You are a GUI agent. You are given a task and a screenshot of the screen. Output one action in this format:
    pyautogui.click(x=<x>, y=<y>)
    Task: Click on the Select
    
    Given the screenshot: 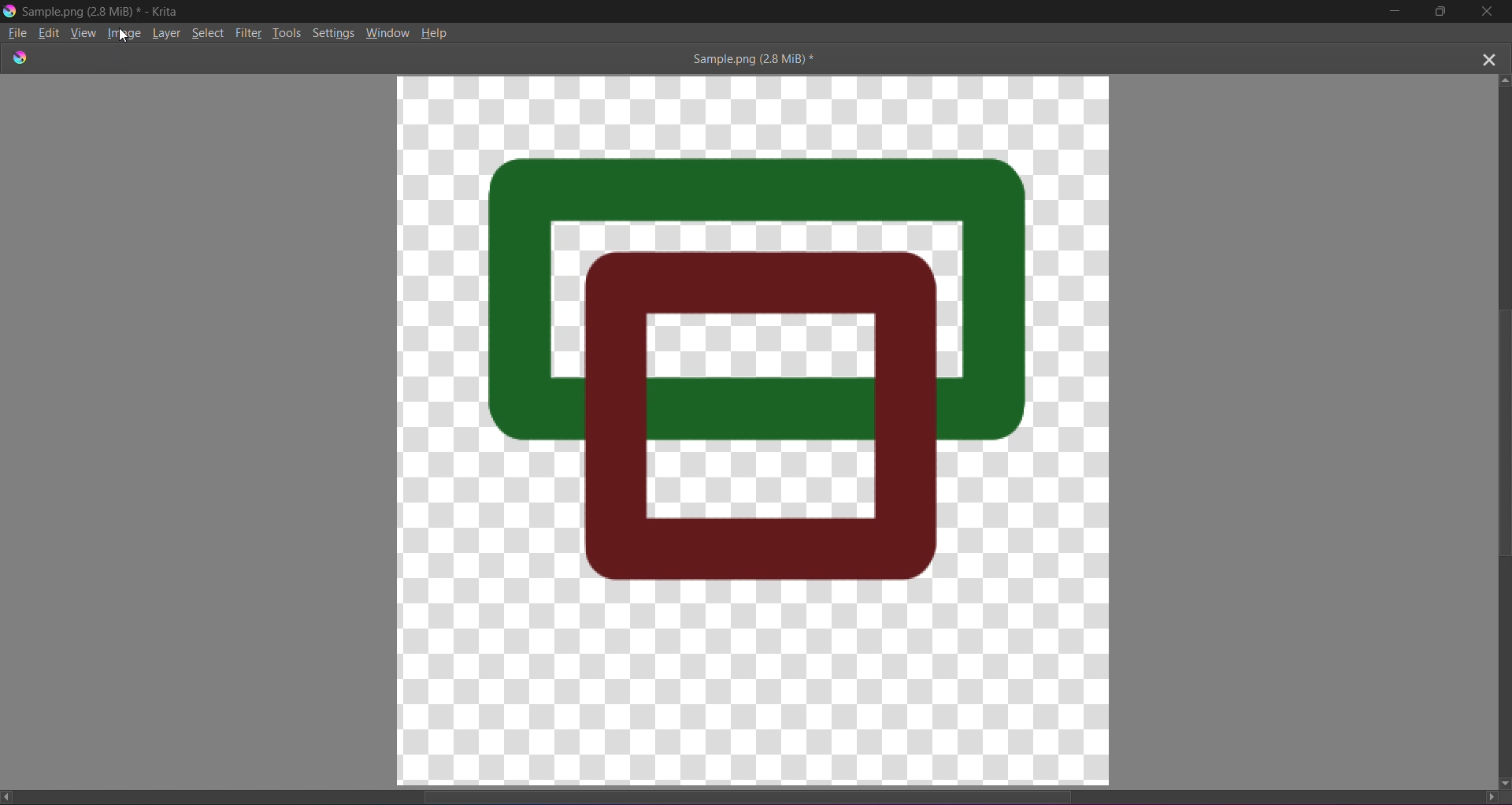 What is the action you would take?
    pyautogui.click(x=211, y=32)
    